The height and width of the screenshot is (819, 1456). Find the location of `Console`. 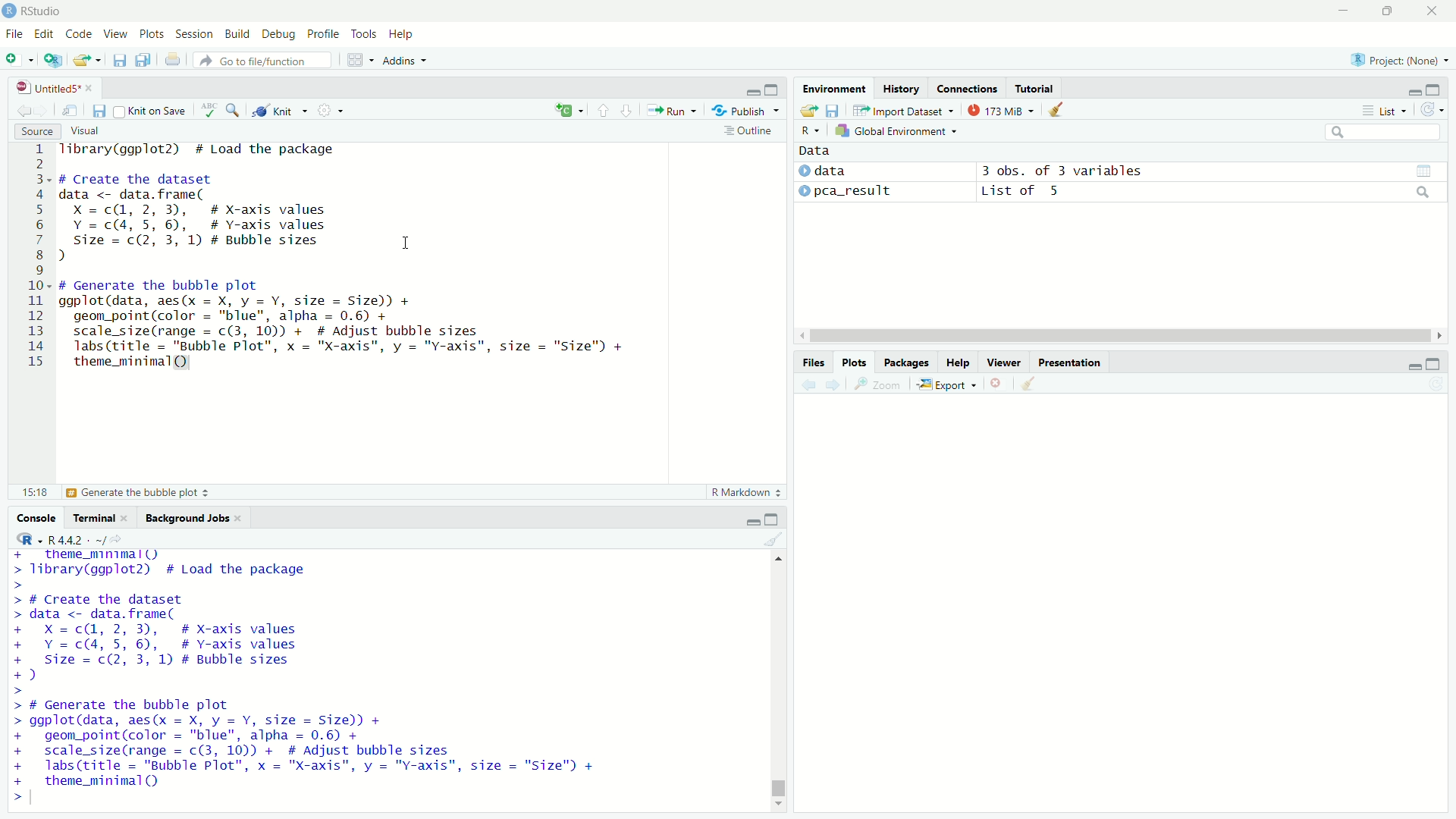

Console is located at coordinates (38, 517).